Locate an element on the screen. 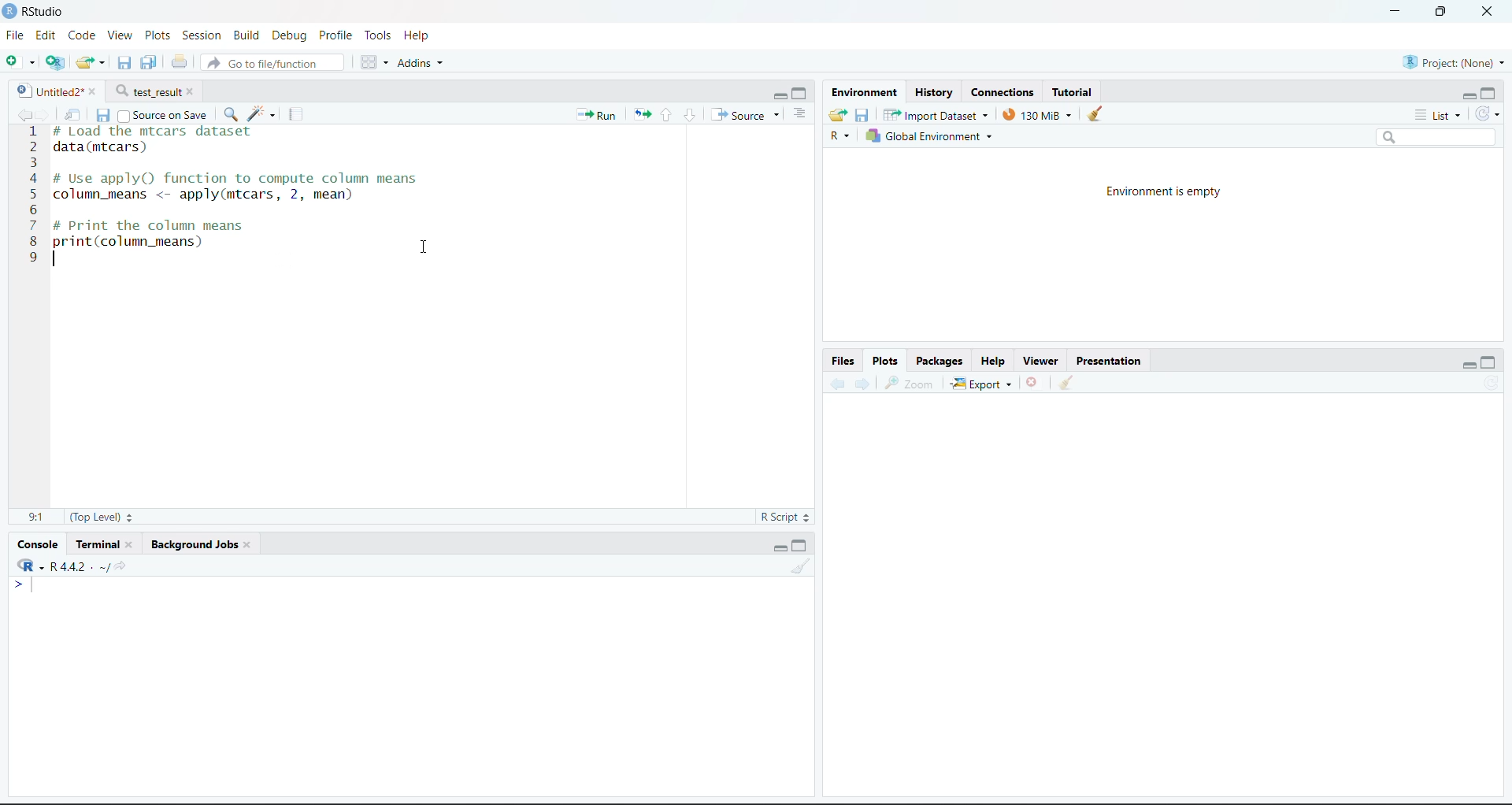 This screenshot has width=1512, height=805. Compile Report (Ctrl + Shift + K) is located at coordinates (297, 113).